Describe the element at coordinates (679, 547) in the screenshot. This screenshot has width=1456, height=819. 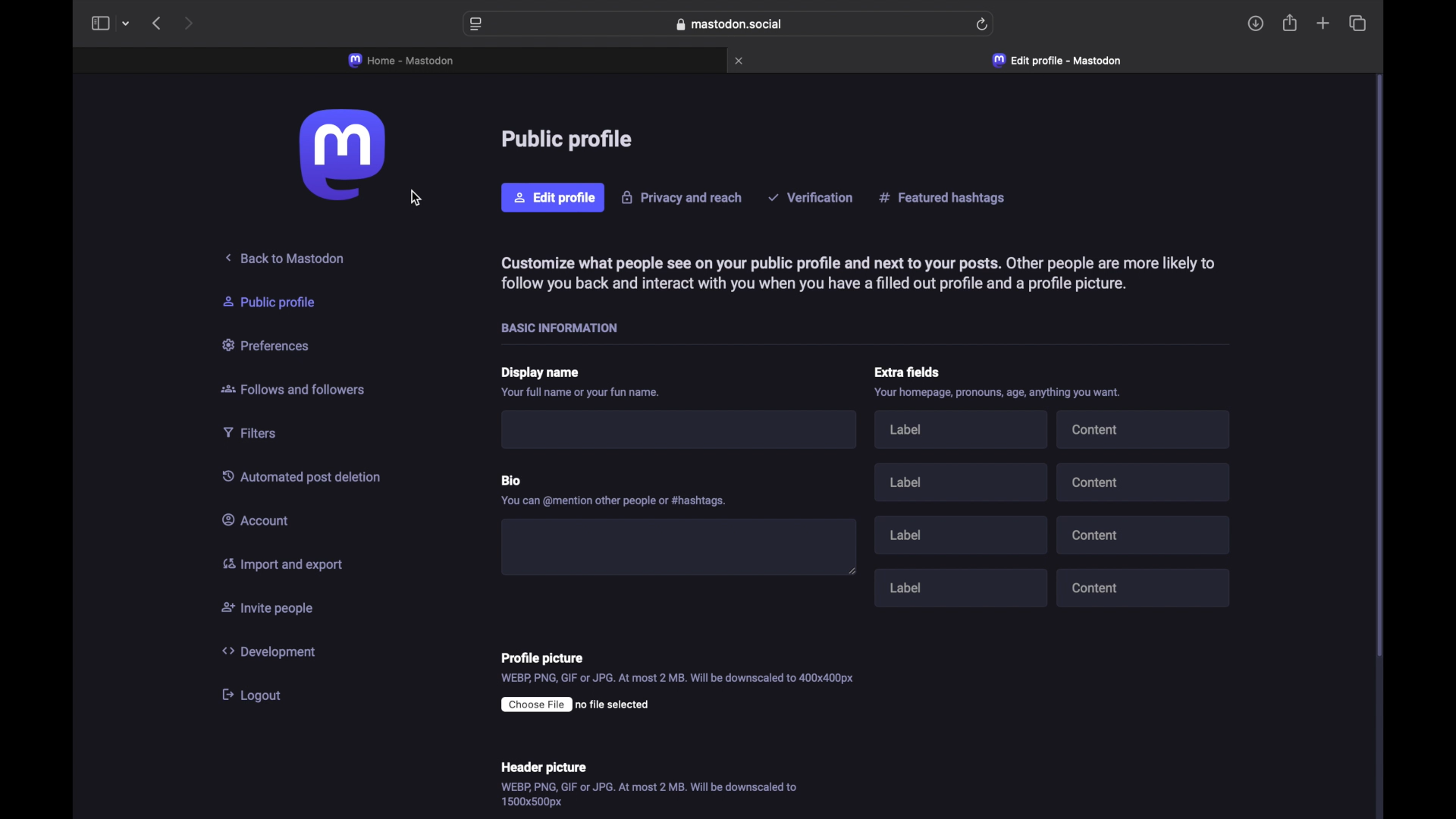
I see `bio text field` at that location.